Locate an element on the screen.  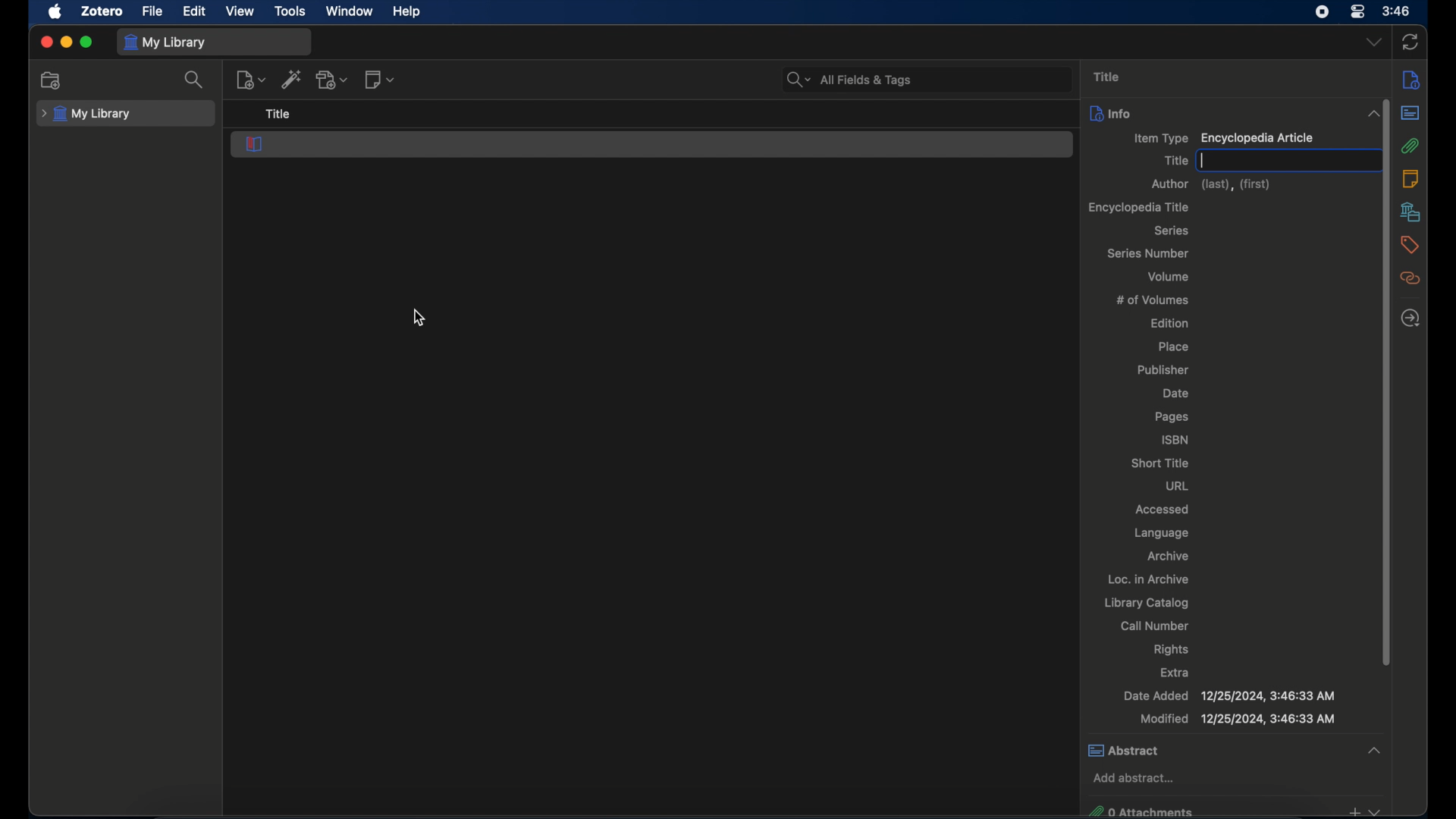
abstract is located at coordinates (1410, 113).